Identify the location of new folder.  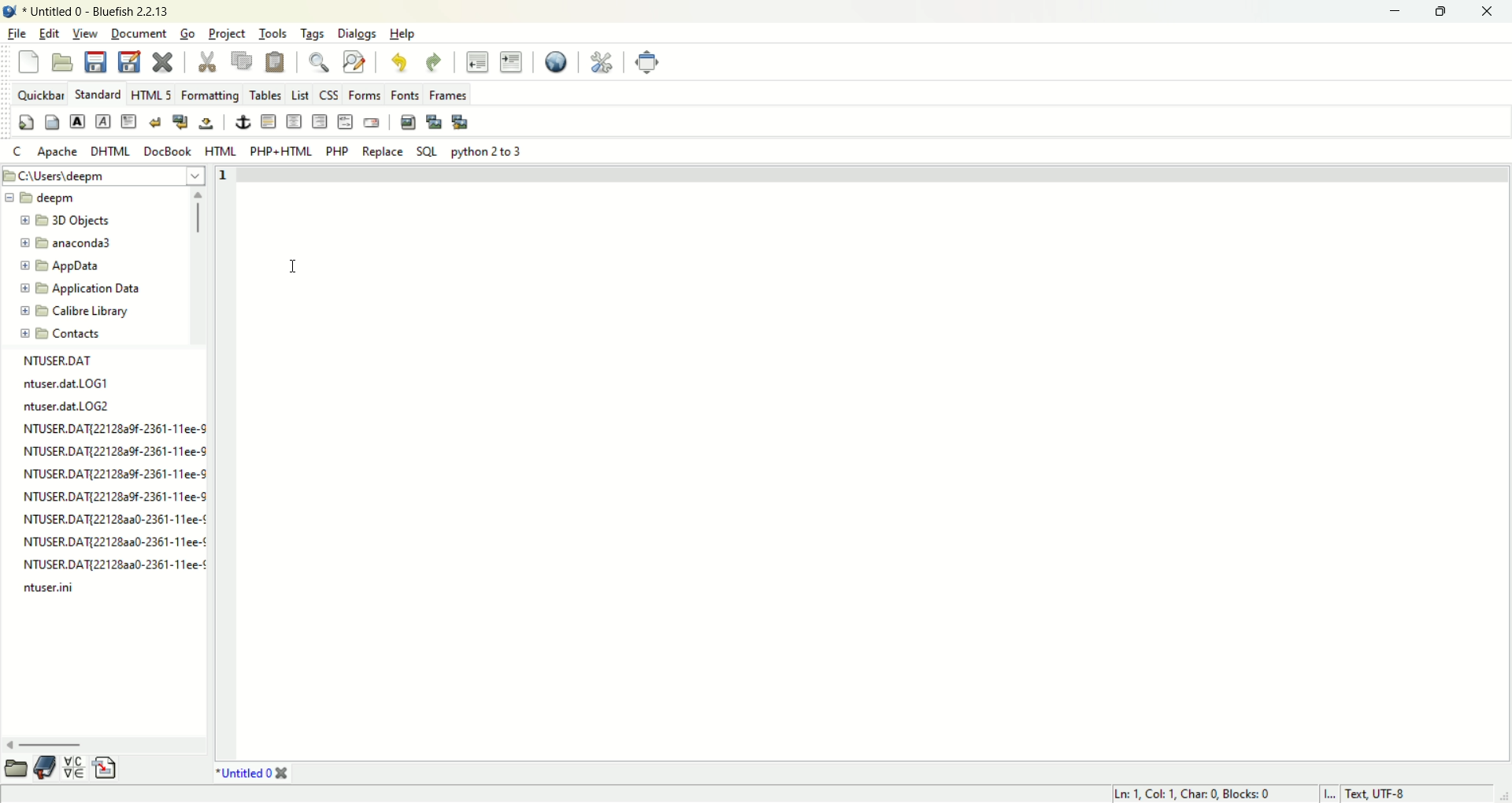
(76, 330).